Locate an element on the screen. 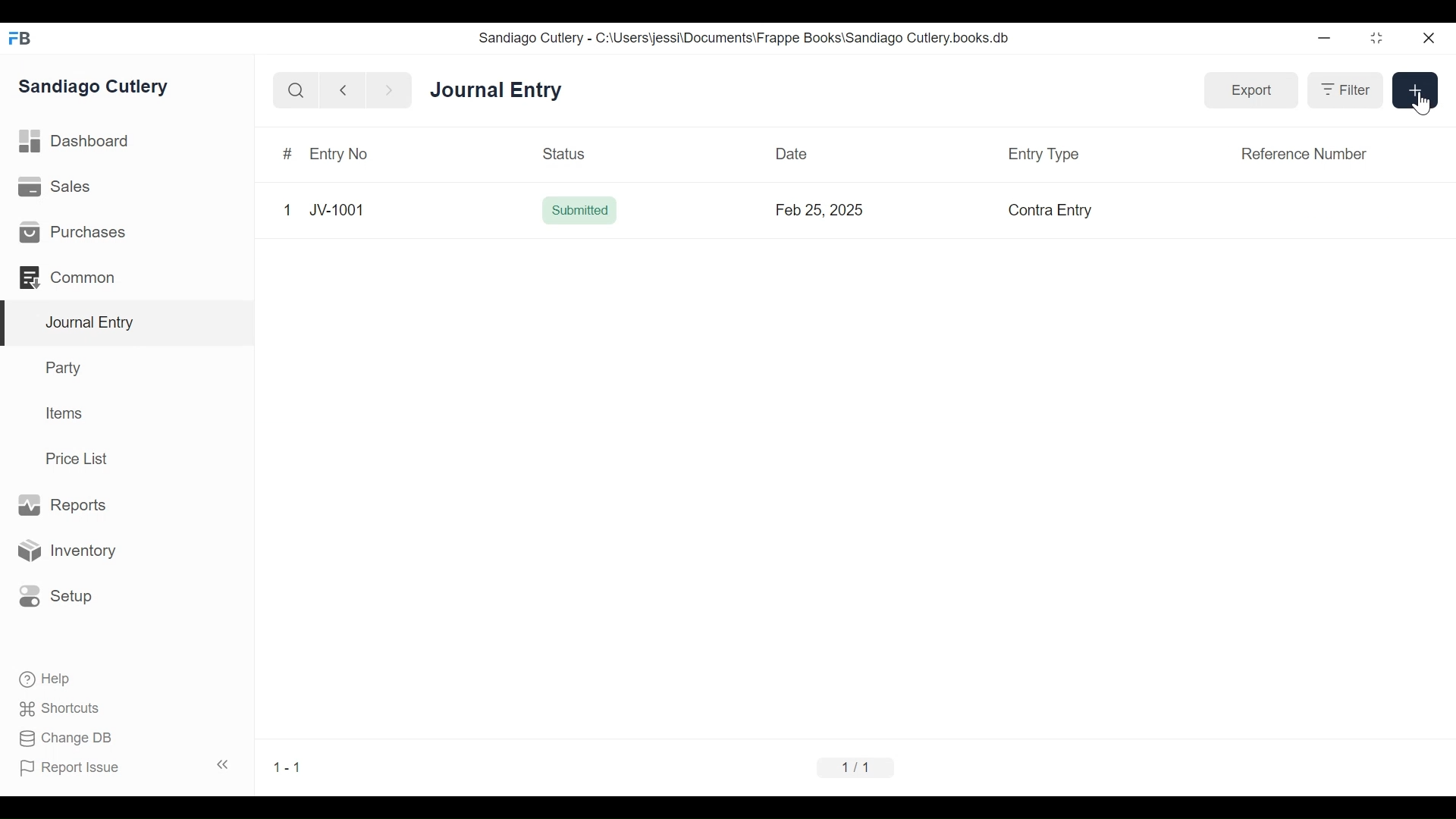 The width and height of the screenshot is (1456, 819). + is located at coordinates (1415, 89).